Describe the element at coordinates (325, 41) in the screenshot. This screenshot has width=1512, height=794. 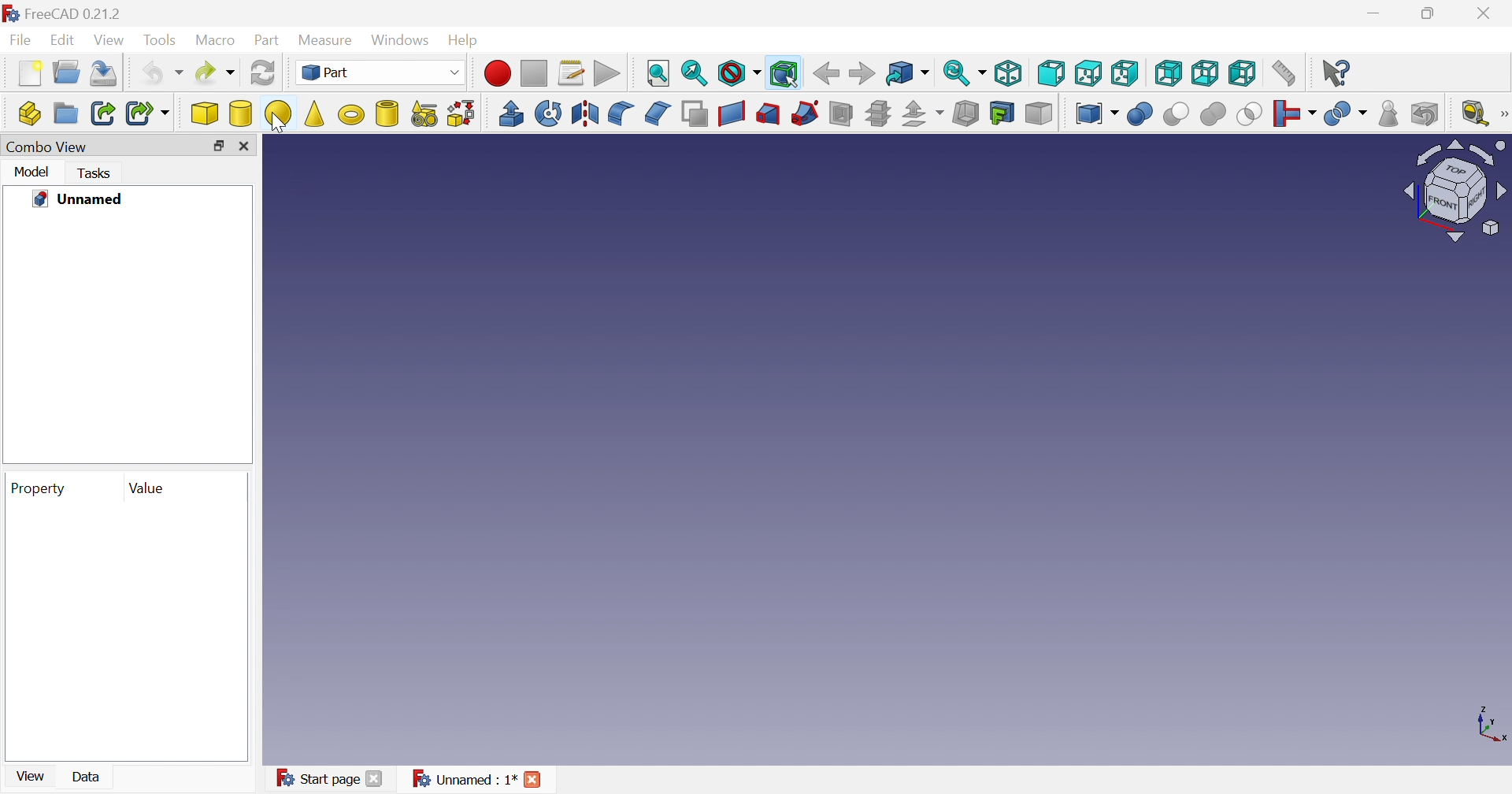
I see `Measure` at that location.